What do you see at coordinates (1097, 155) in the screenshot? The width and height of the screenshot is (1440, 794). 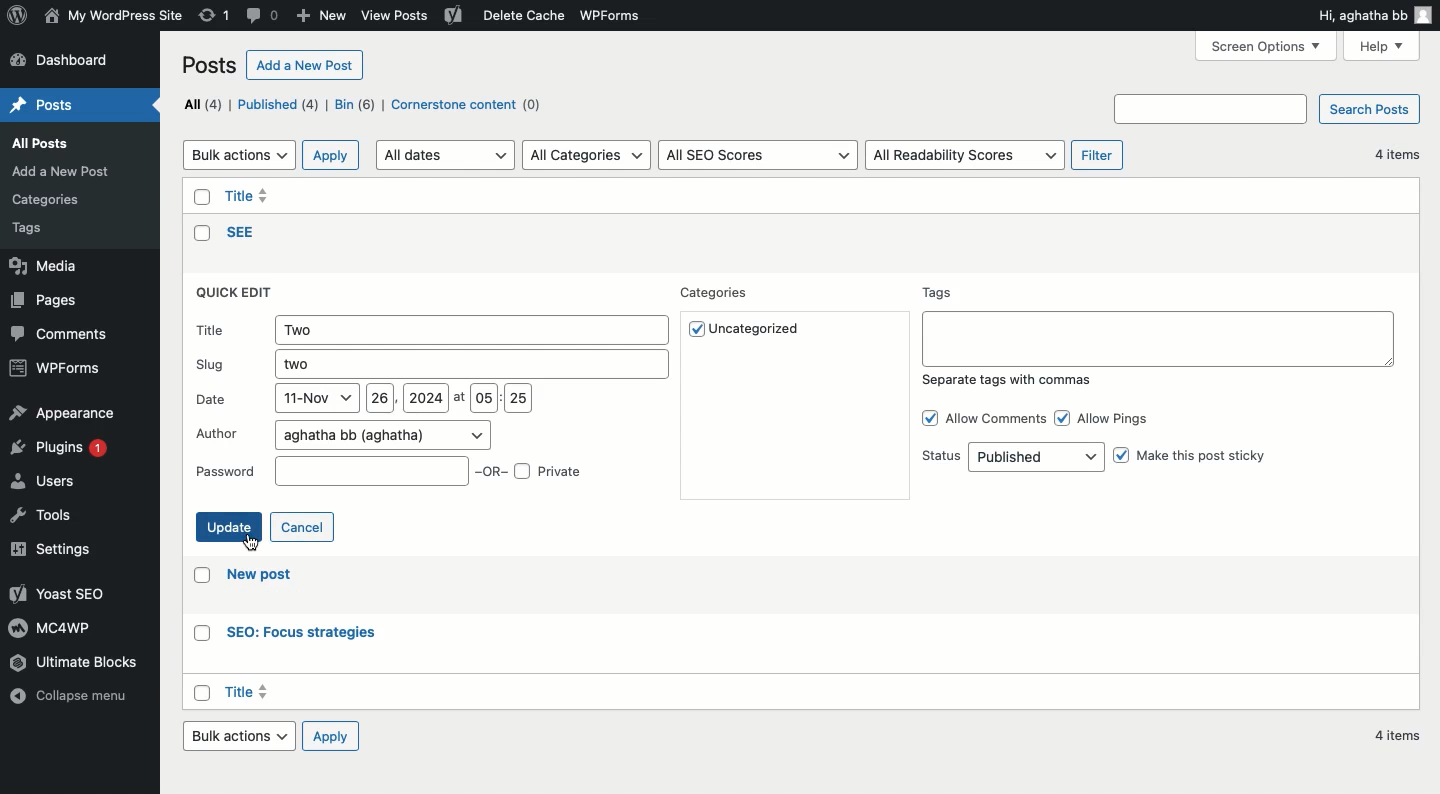 I see `Filter` at bounding box center [1097, 155].